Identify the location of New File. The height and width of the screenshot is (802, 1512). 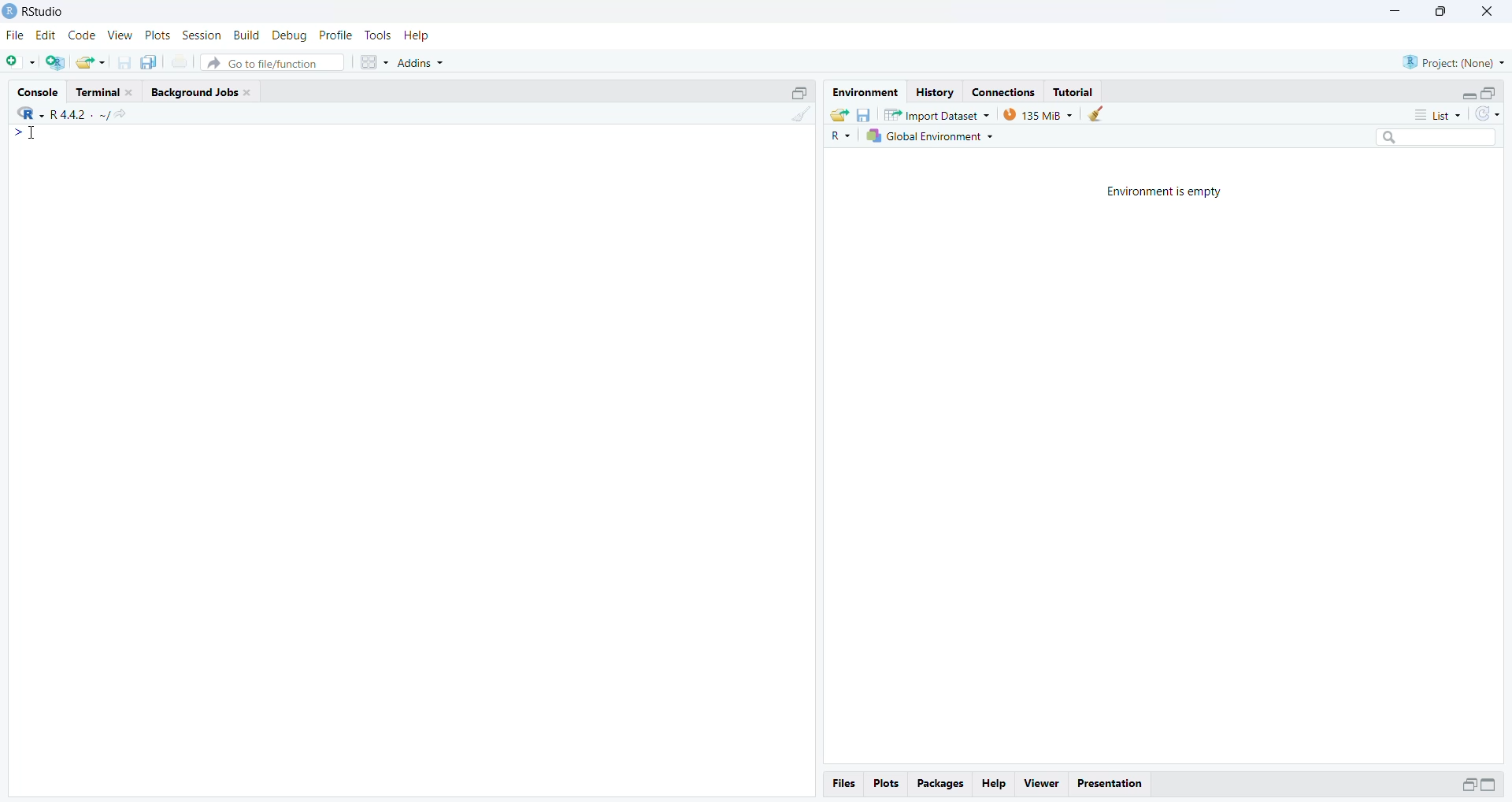
(21, 61).